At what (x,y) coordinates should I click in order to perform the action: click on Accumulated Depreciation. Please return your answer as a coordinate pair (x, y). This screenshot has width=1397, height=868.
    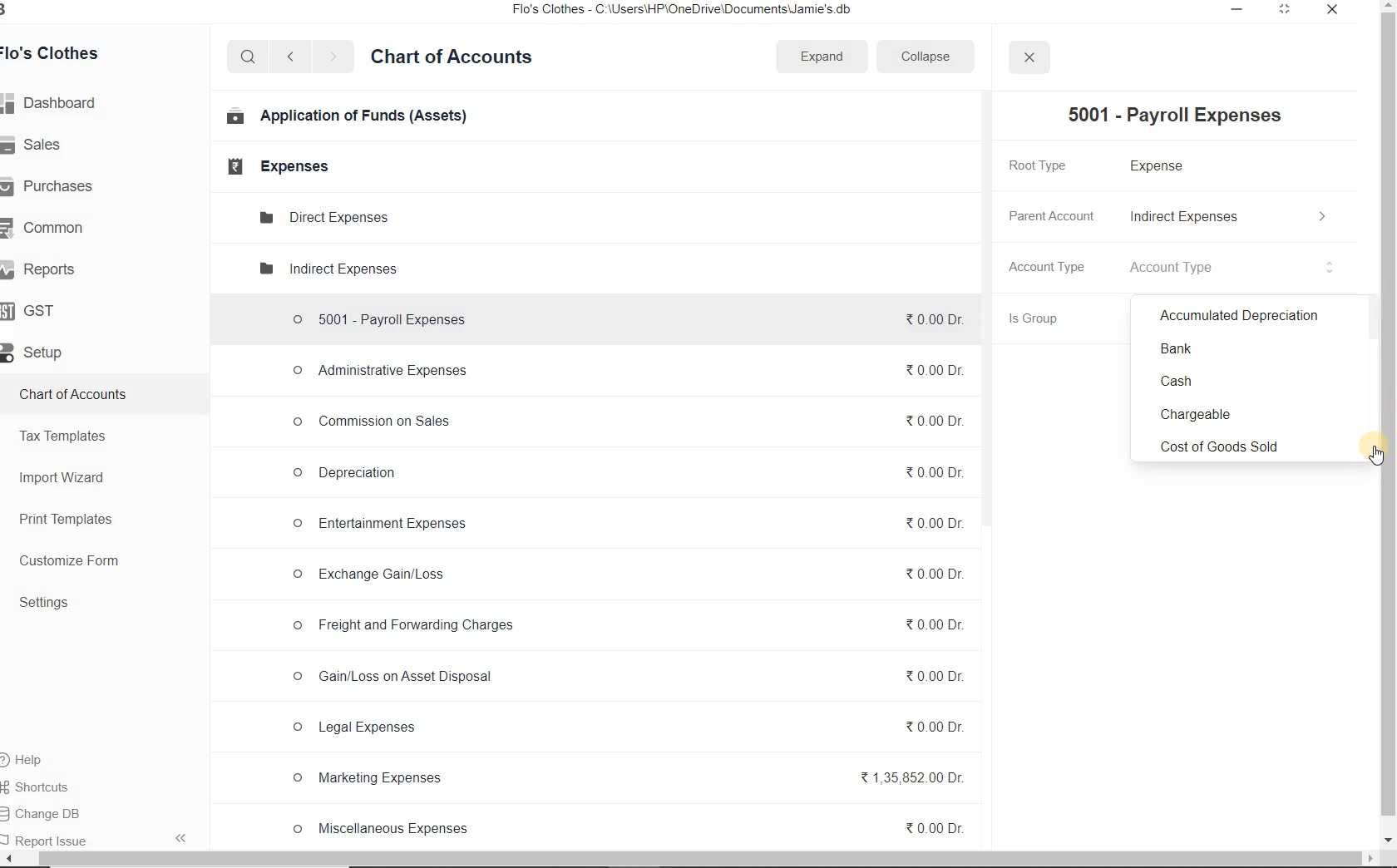
    Looking at the image, I should click on (1239, 316).